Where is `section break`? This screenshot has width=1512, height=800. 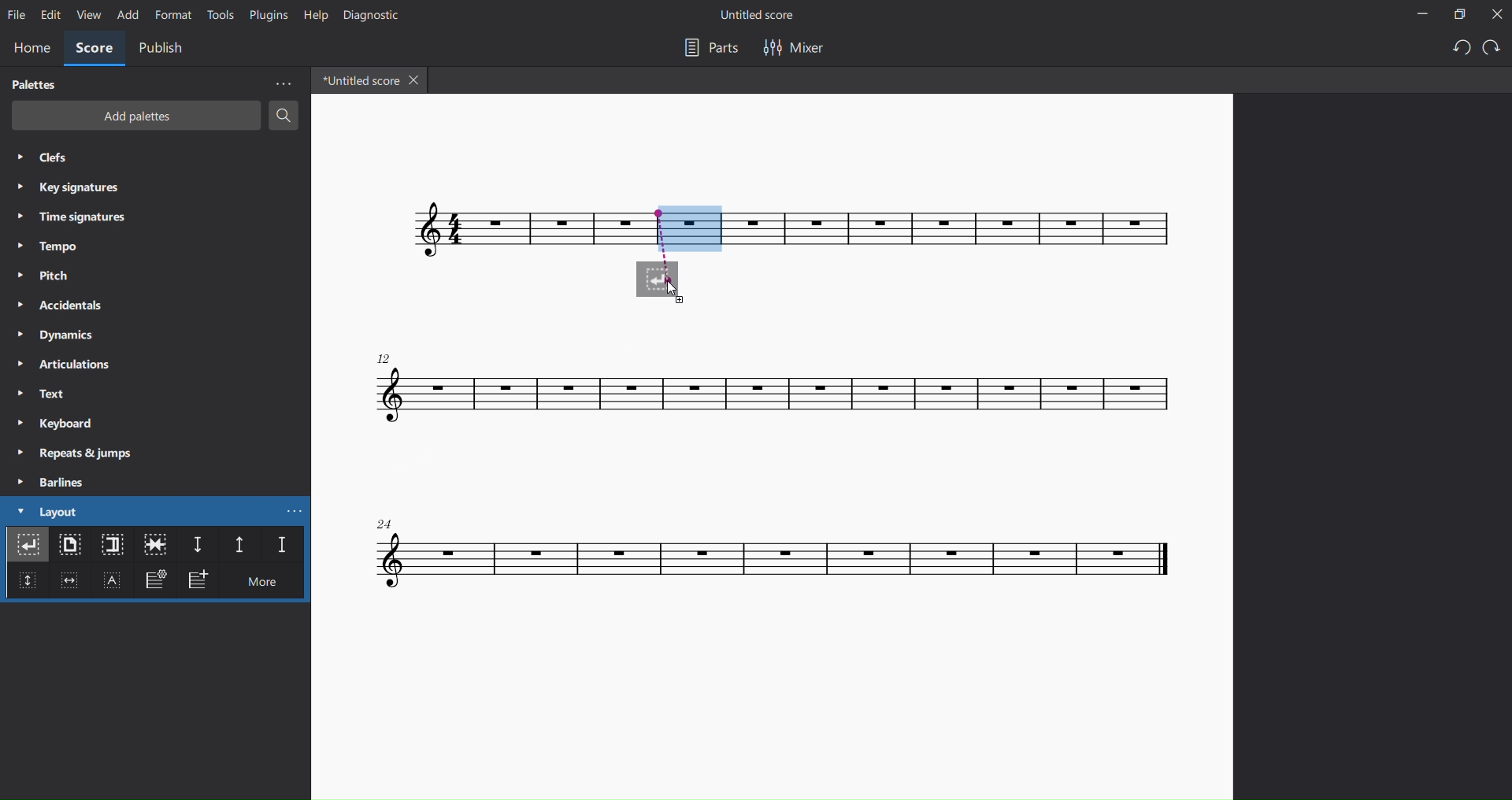 section break is located at coordinates (110, 546).